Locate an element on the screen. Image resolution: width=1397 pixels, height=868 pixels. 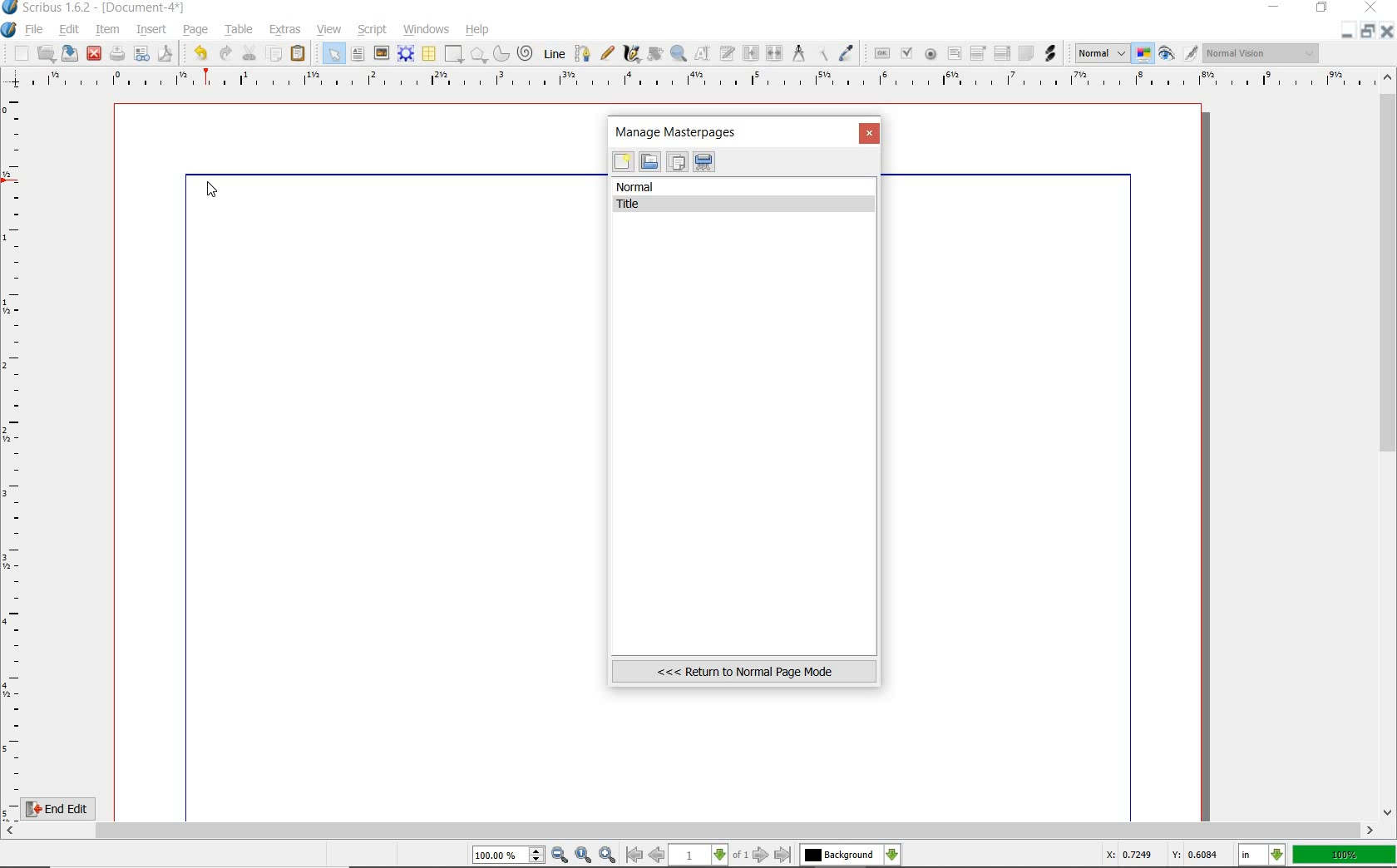
100.00% is located at coordinates (510, 856).